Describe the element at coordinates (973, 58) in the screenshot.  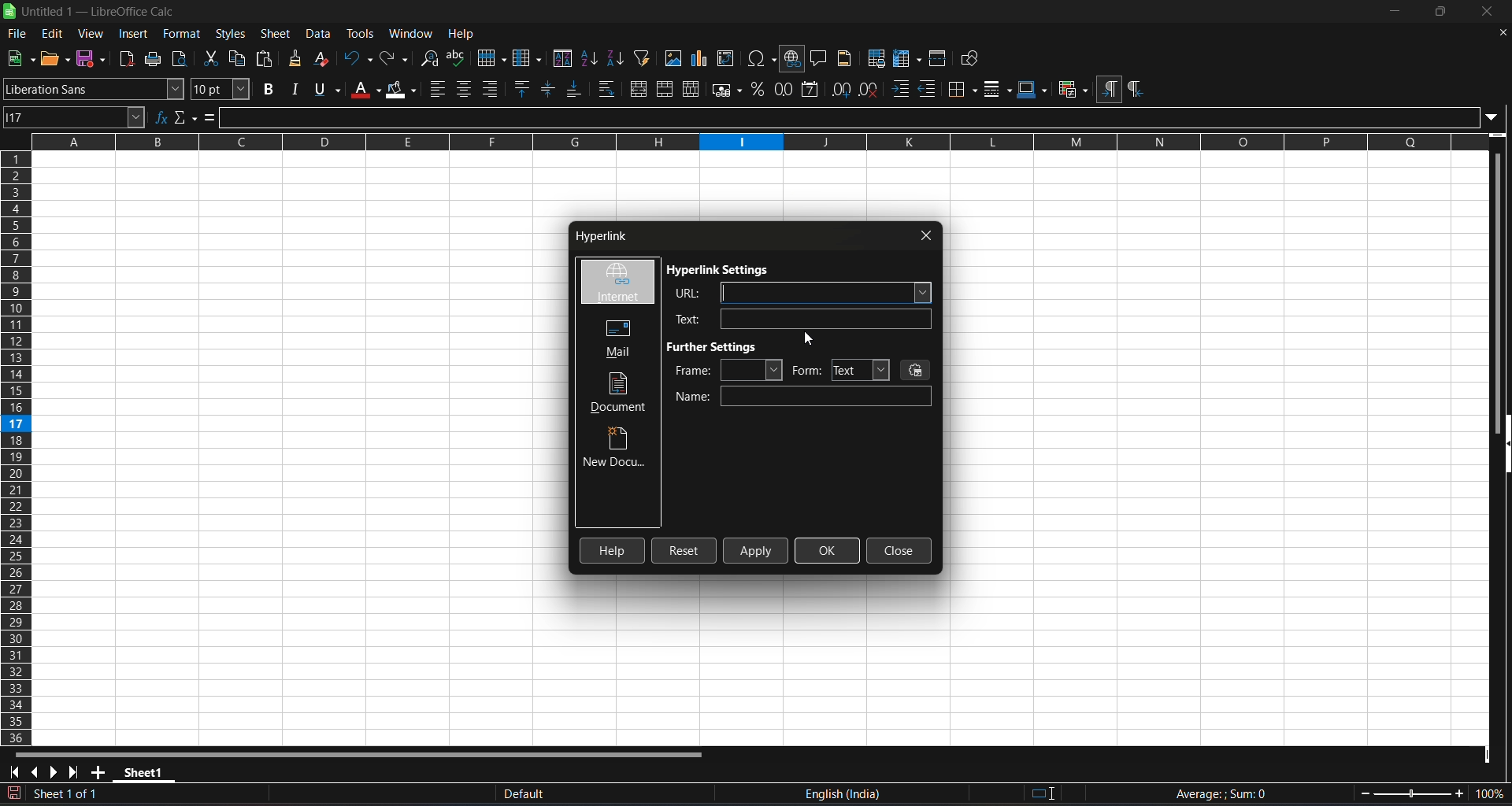
I see `show draw functions` at that location.